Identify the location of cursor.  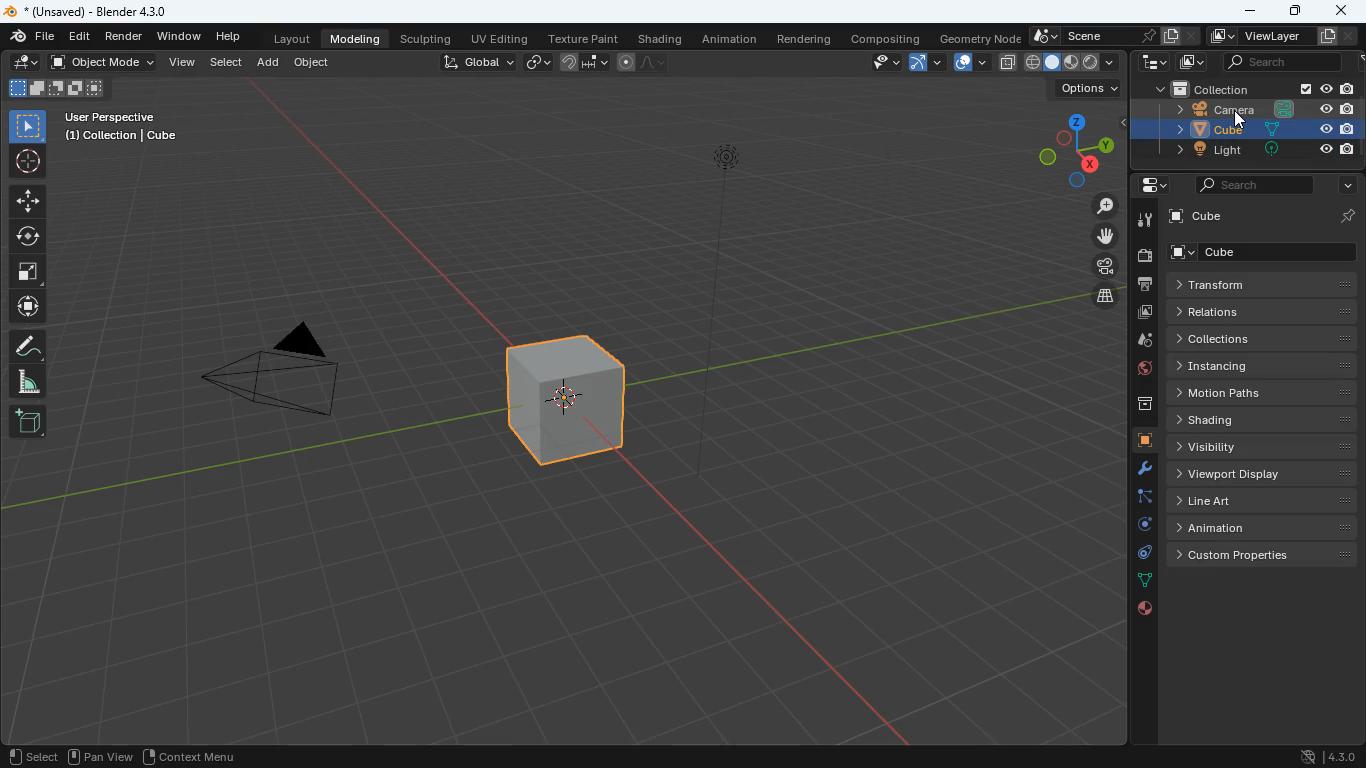
(1238, 122).